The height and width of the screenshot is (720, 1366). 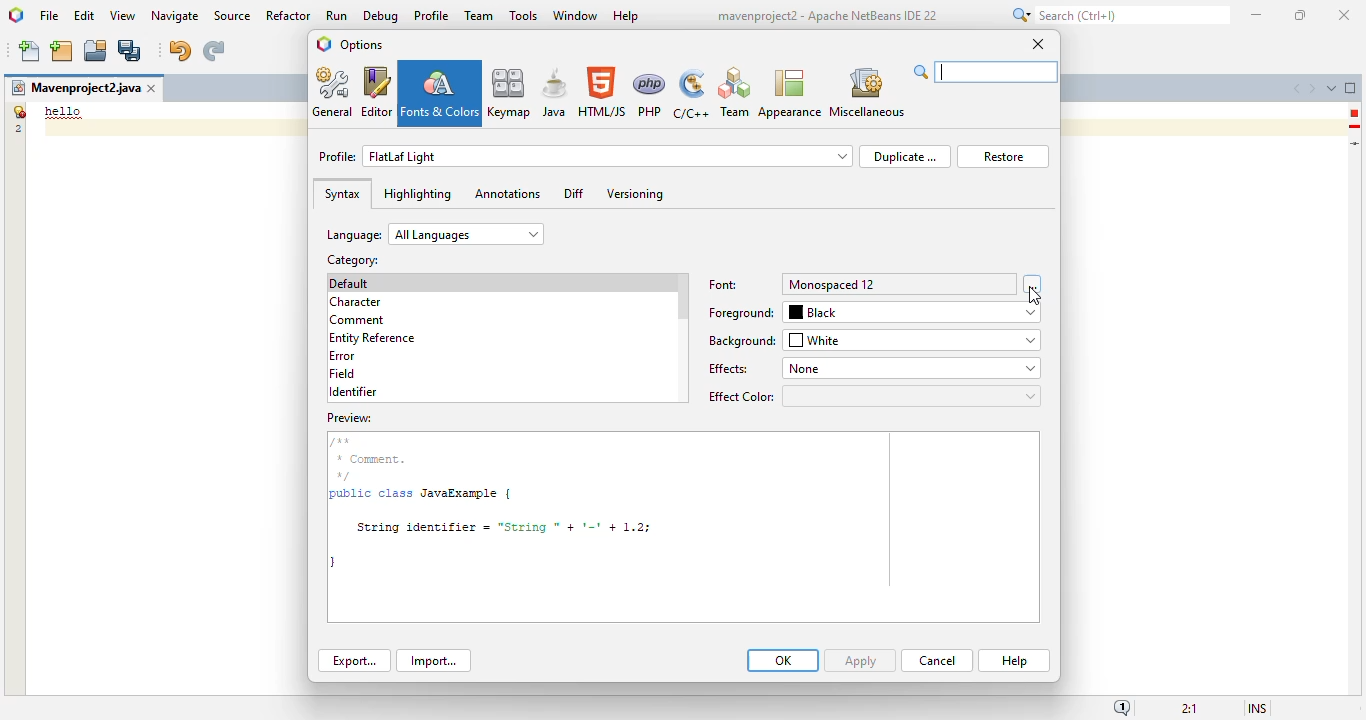 What do you see at coordinates (690, 94) in the screenshot?
I see `C/C++` at bounding box center [690, 94].